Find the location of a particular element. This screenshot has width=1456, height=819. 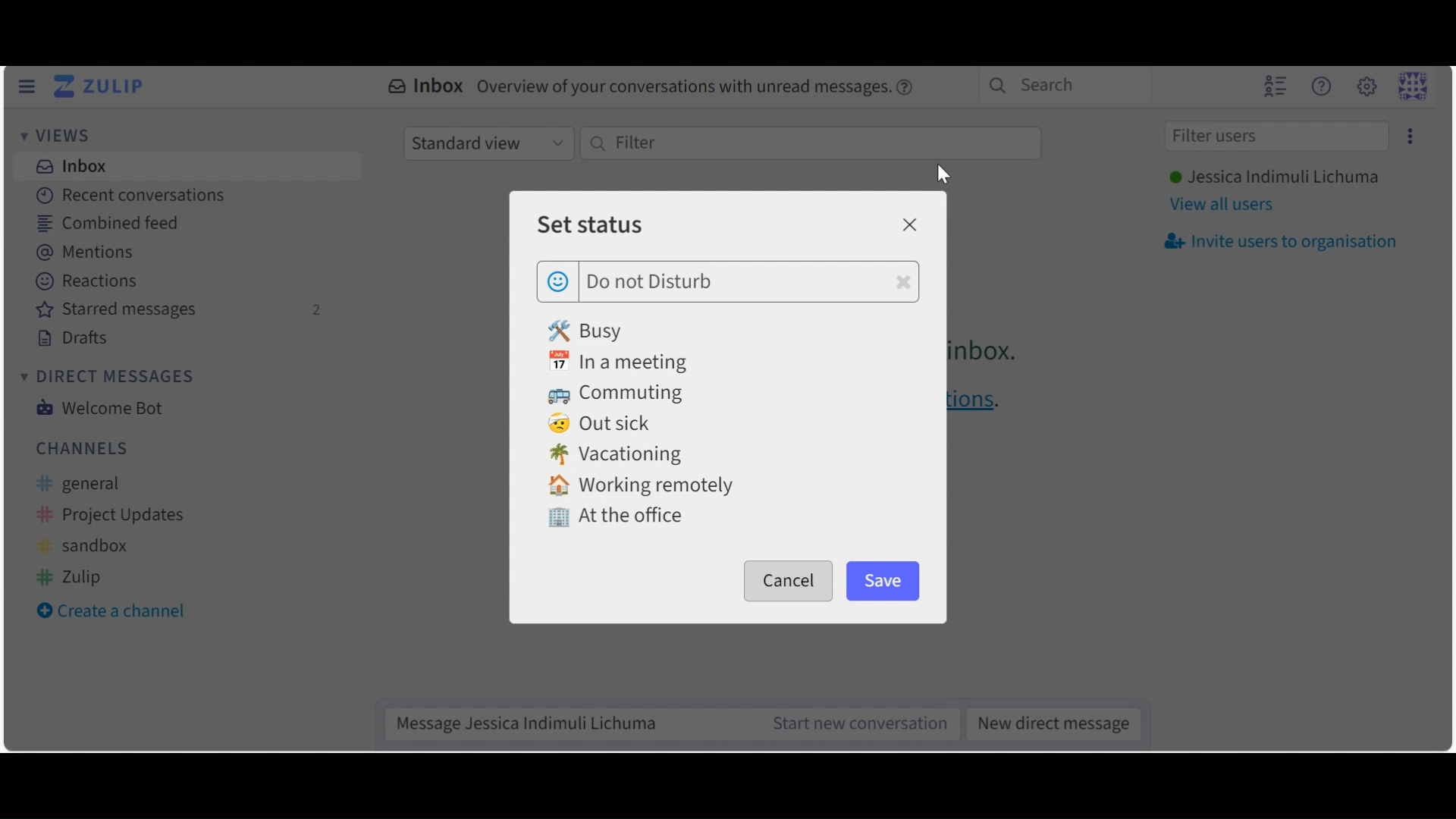

Main menu is located at coordinates (1366, 86).